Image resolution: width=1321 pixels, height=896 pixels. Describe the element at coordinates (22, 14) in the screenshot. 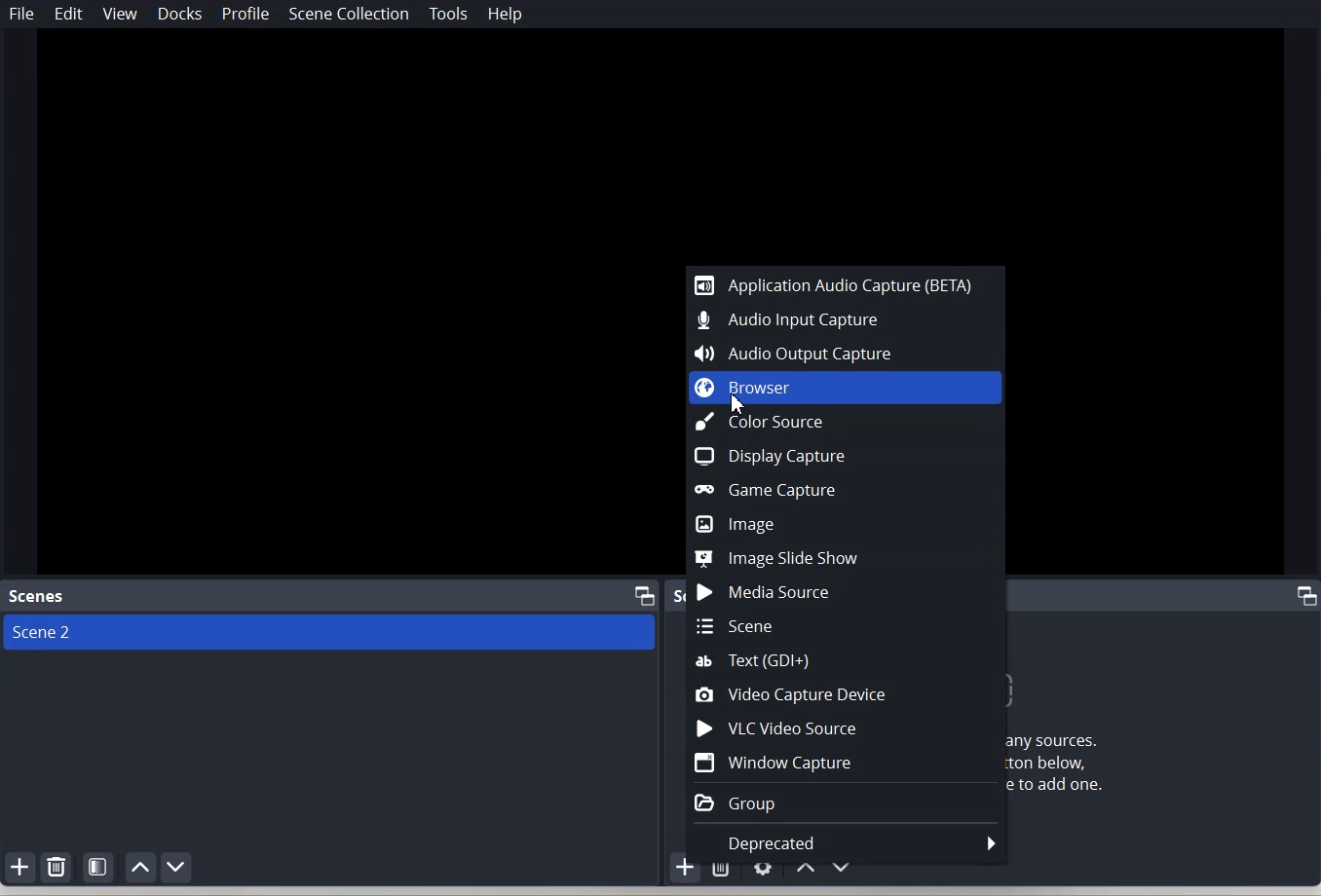

I see `File` at that location.